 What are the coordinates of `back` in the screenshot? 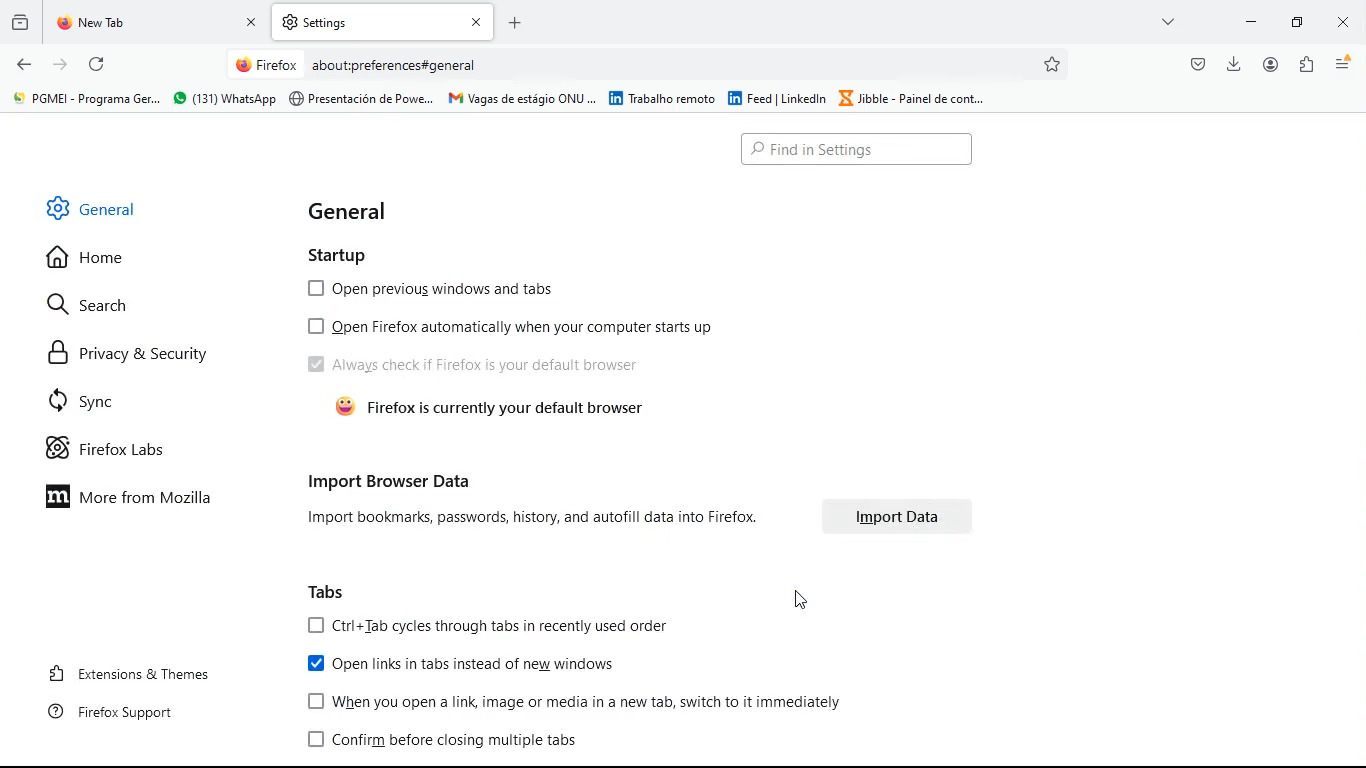 It's located at (24, 65).